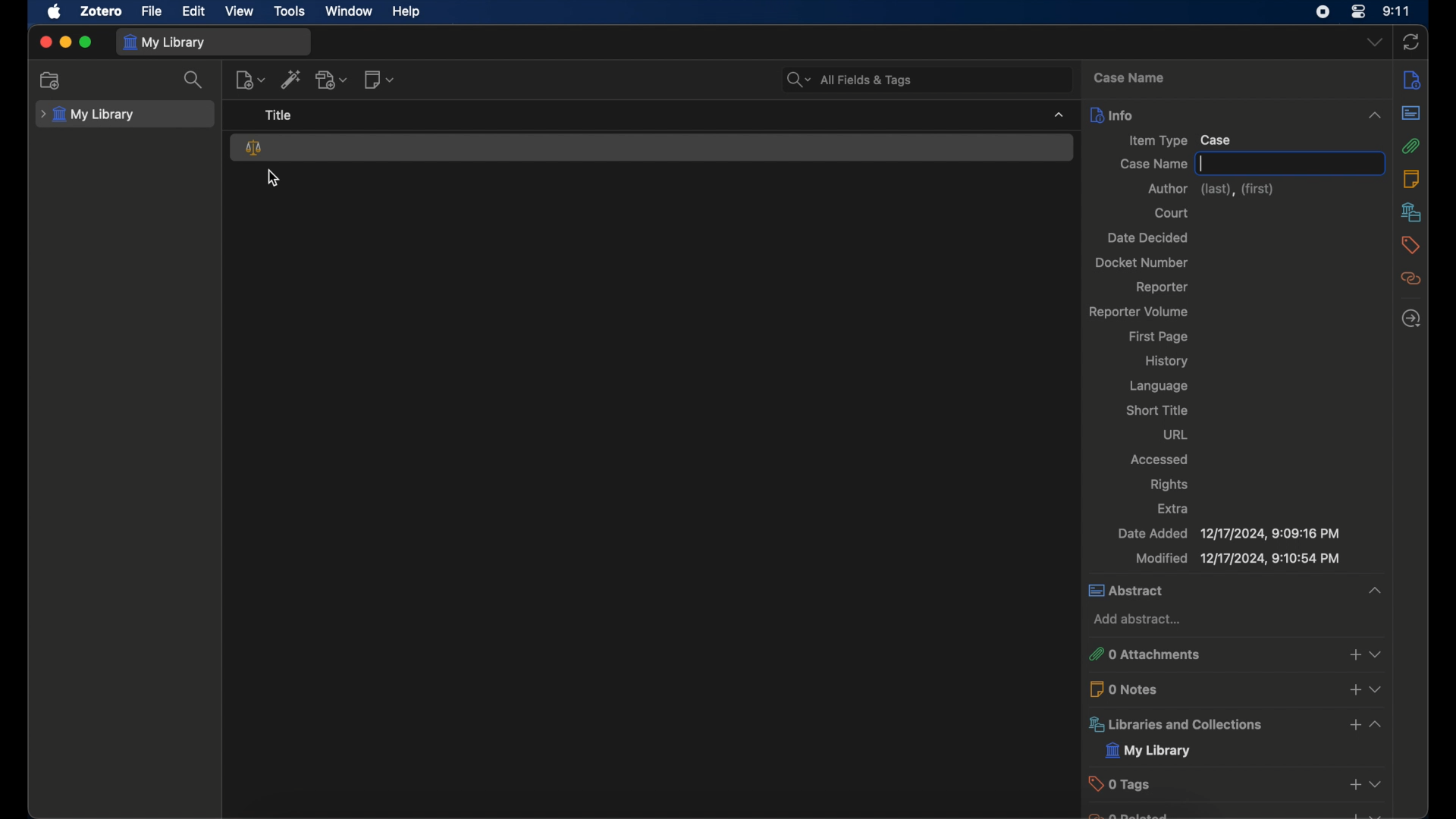 The height and width of the screenshot is (819, 1456). Describe the element at coordinates (1411, 80) in the screenshot. I see `info` at that location.